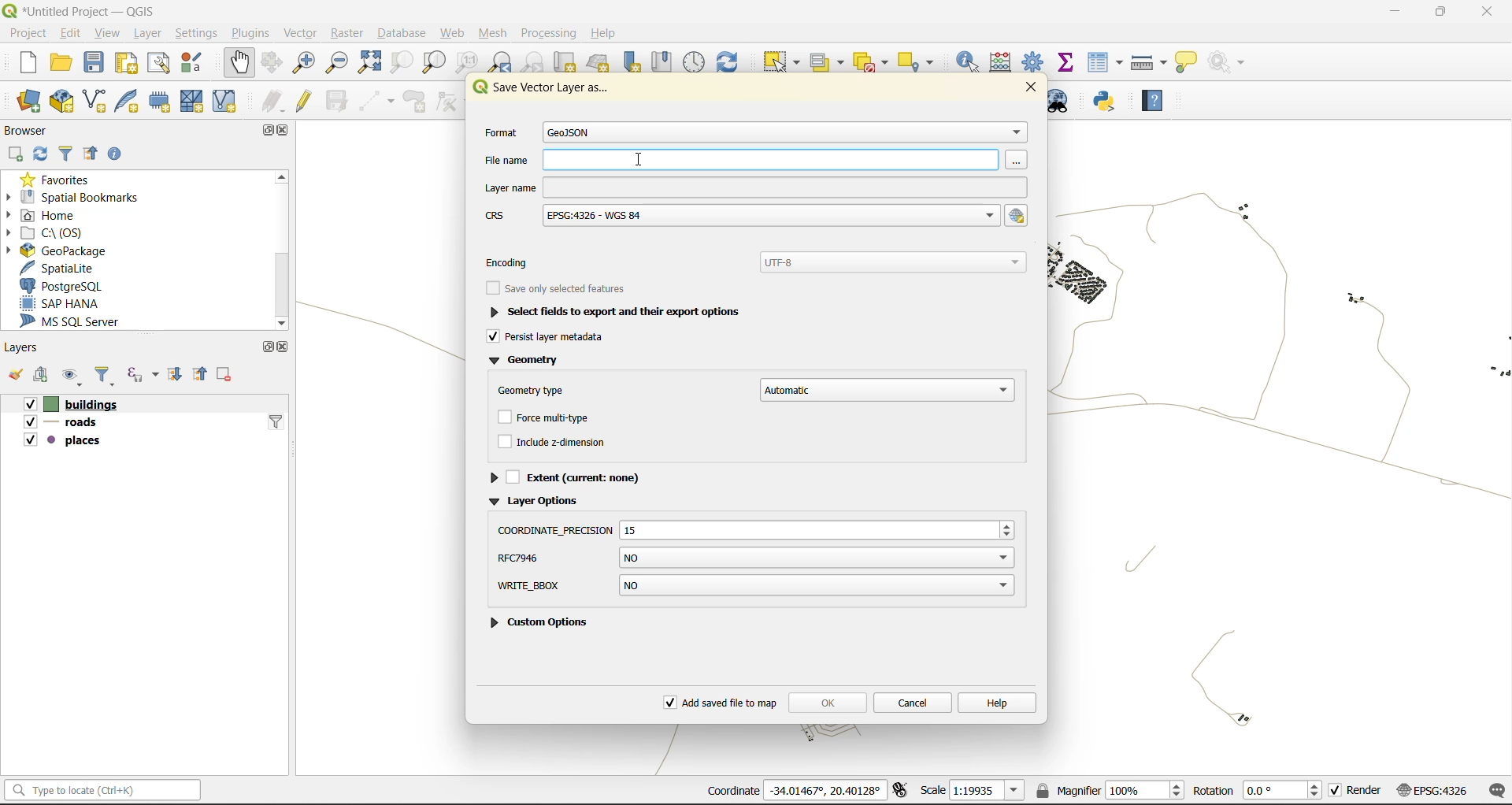  Describe the element at coordinates (1232, 62) in the screenshot. I see `no action` at that location.